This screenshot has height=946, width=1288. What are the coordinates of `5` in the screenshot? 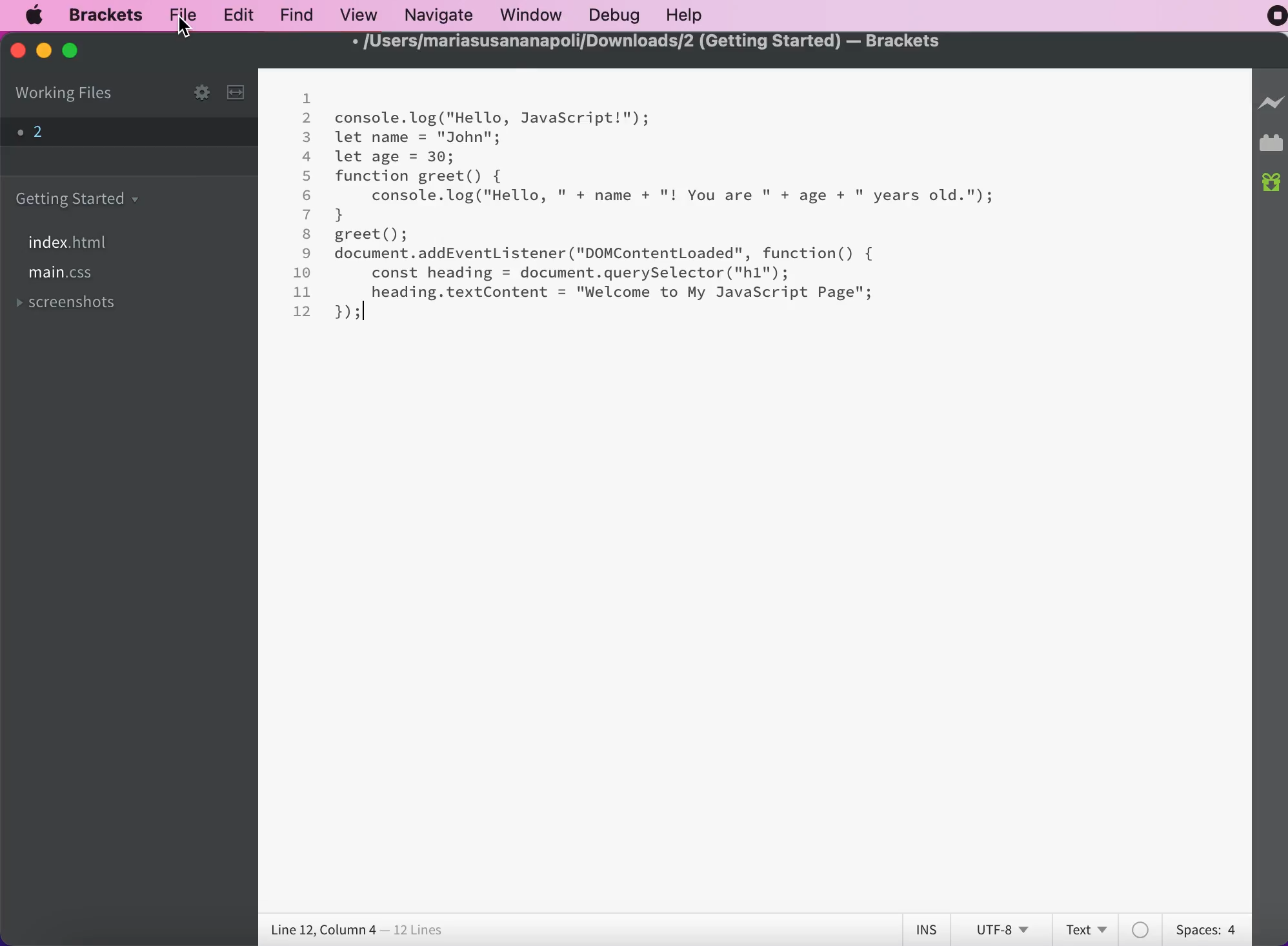 It's located at (308, 176).